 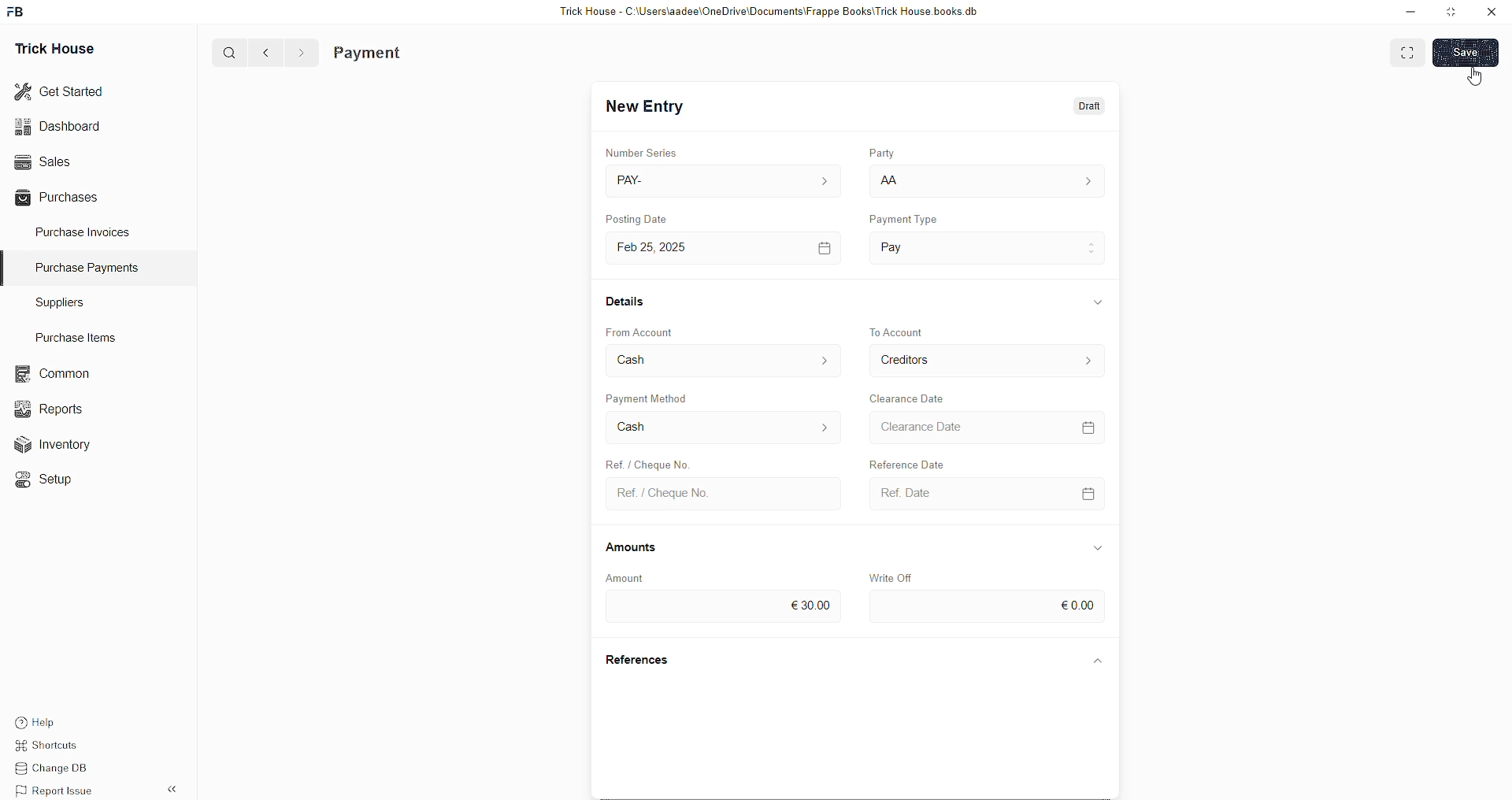 I want to click on Suppliers, so click(x=54, y=302).